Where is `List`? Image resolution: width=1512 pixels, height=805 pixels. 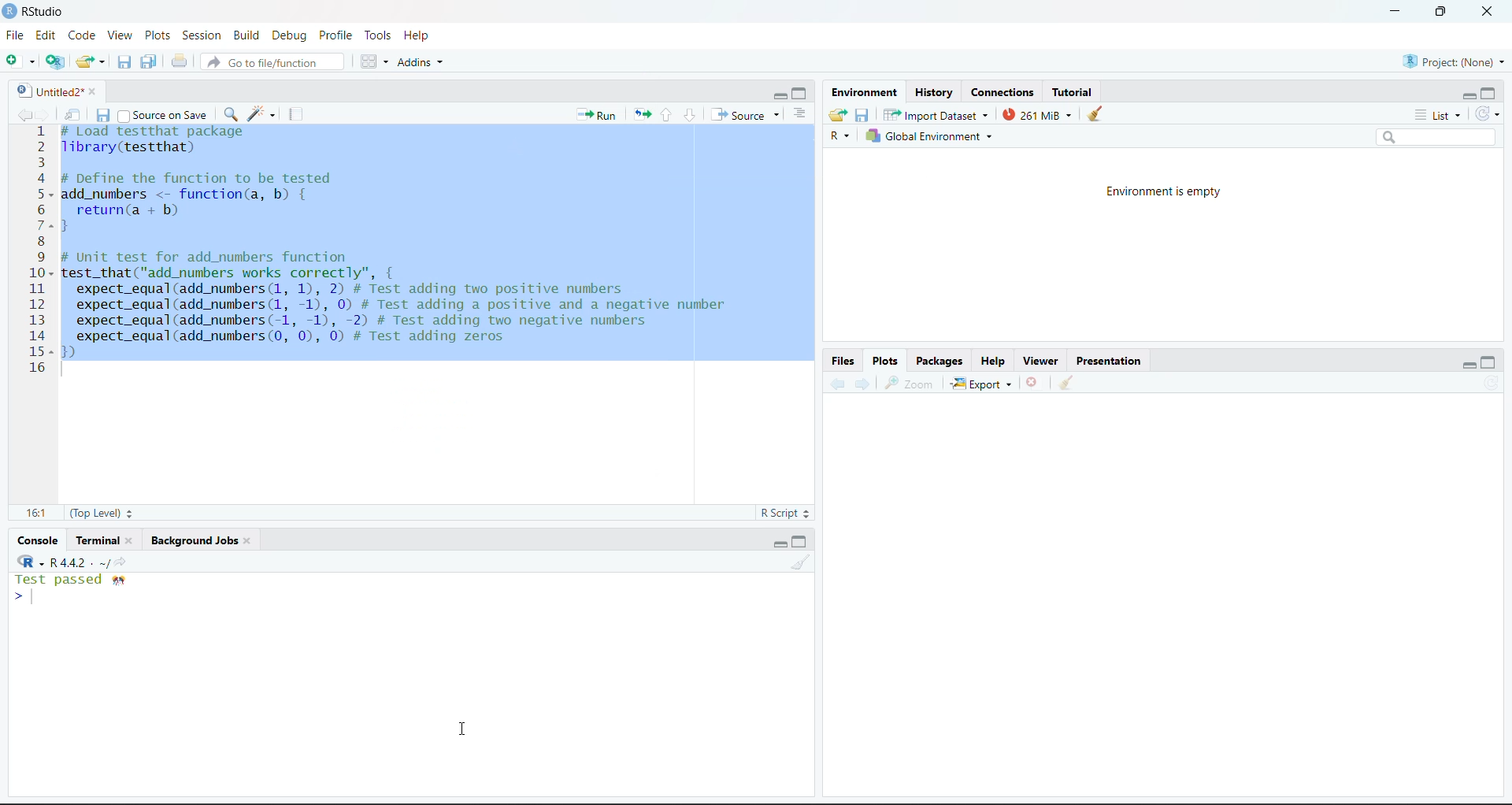 List is located at coordinates (1438, 114).